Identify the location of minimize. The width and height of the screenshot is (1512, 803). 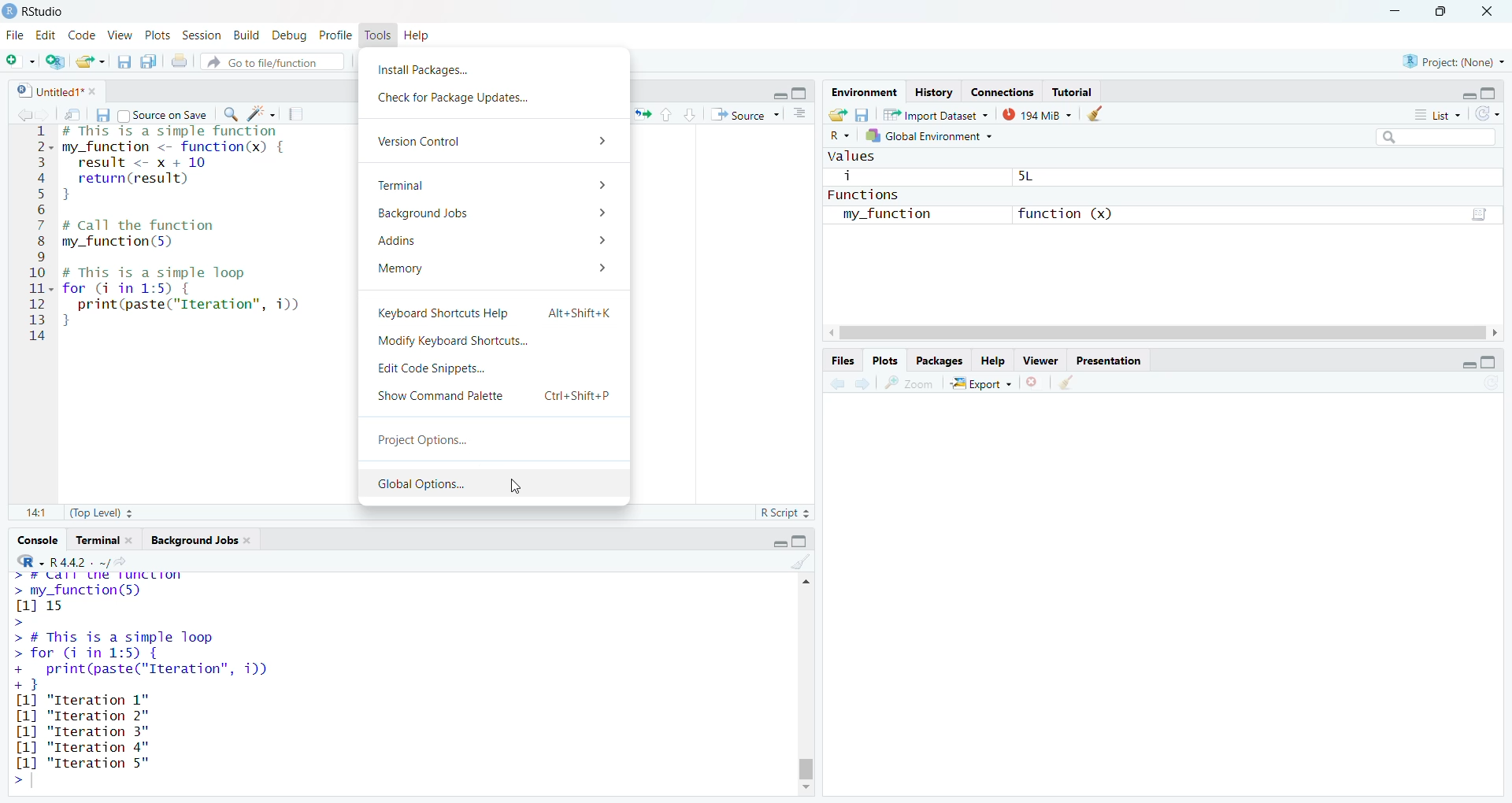
(1462, 364).